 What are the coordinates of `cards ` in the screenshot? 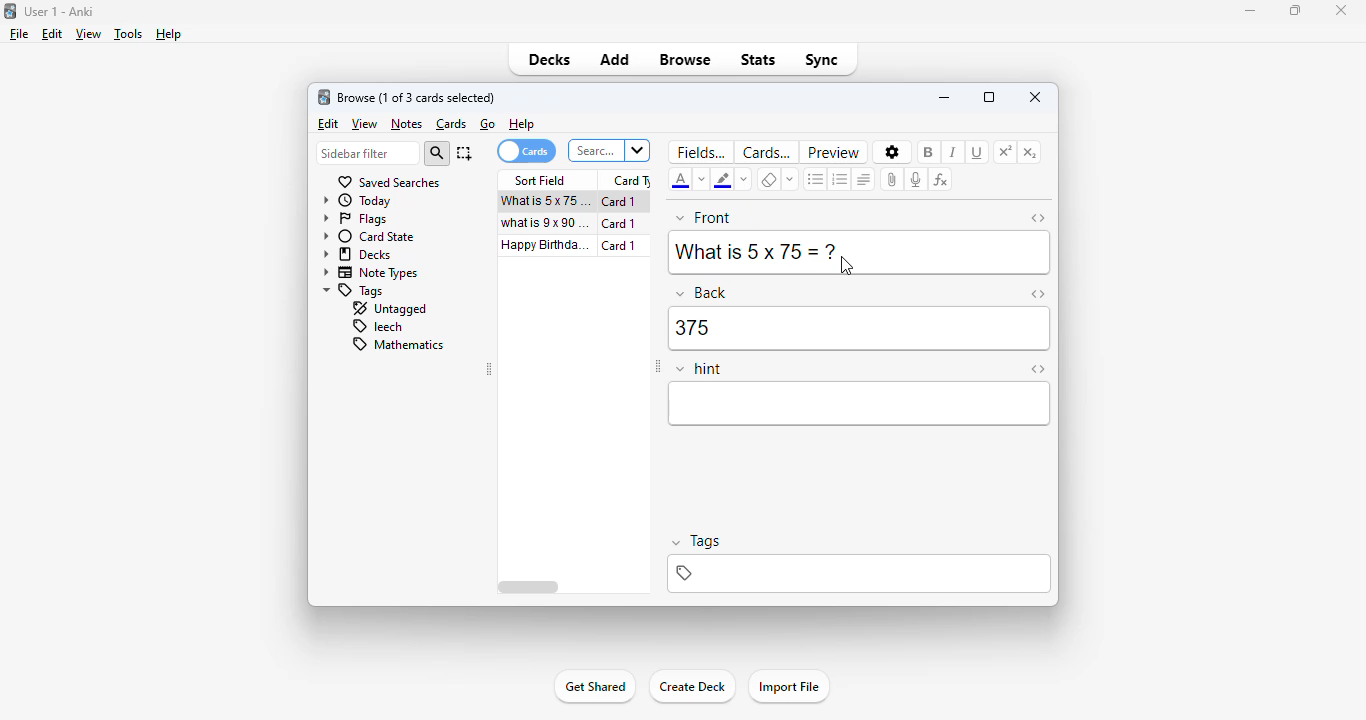 It's located at (766, 153).